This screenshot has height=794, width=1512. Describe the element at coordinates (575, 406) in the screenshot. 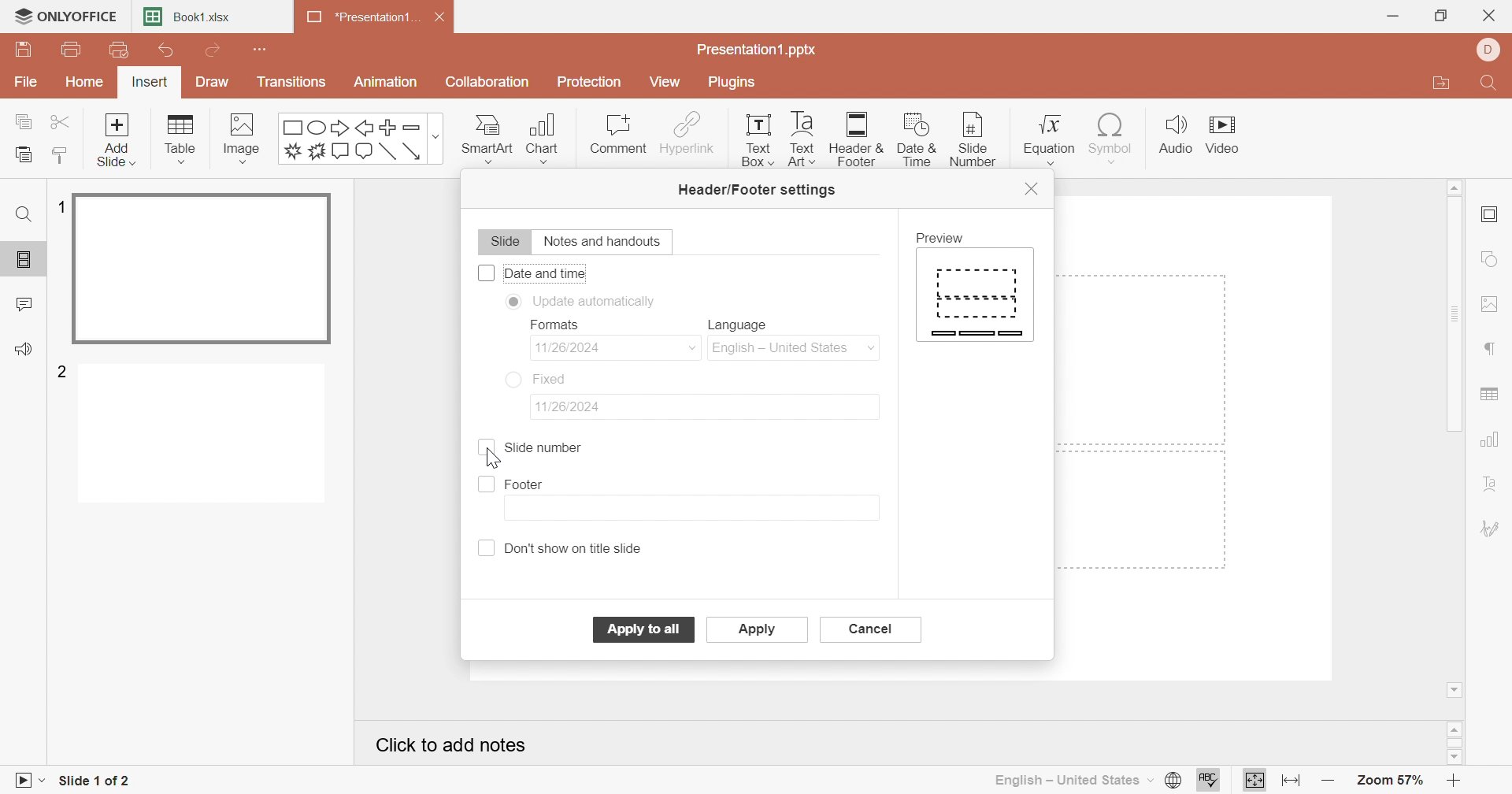

I see `11/26/2024` at that location.